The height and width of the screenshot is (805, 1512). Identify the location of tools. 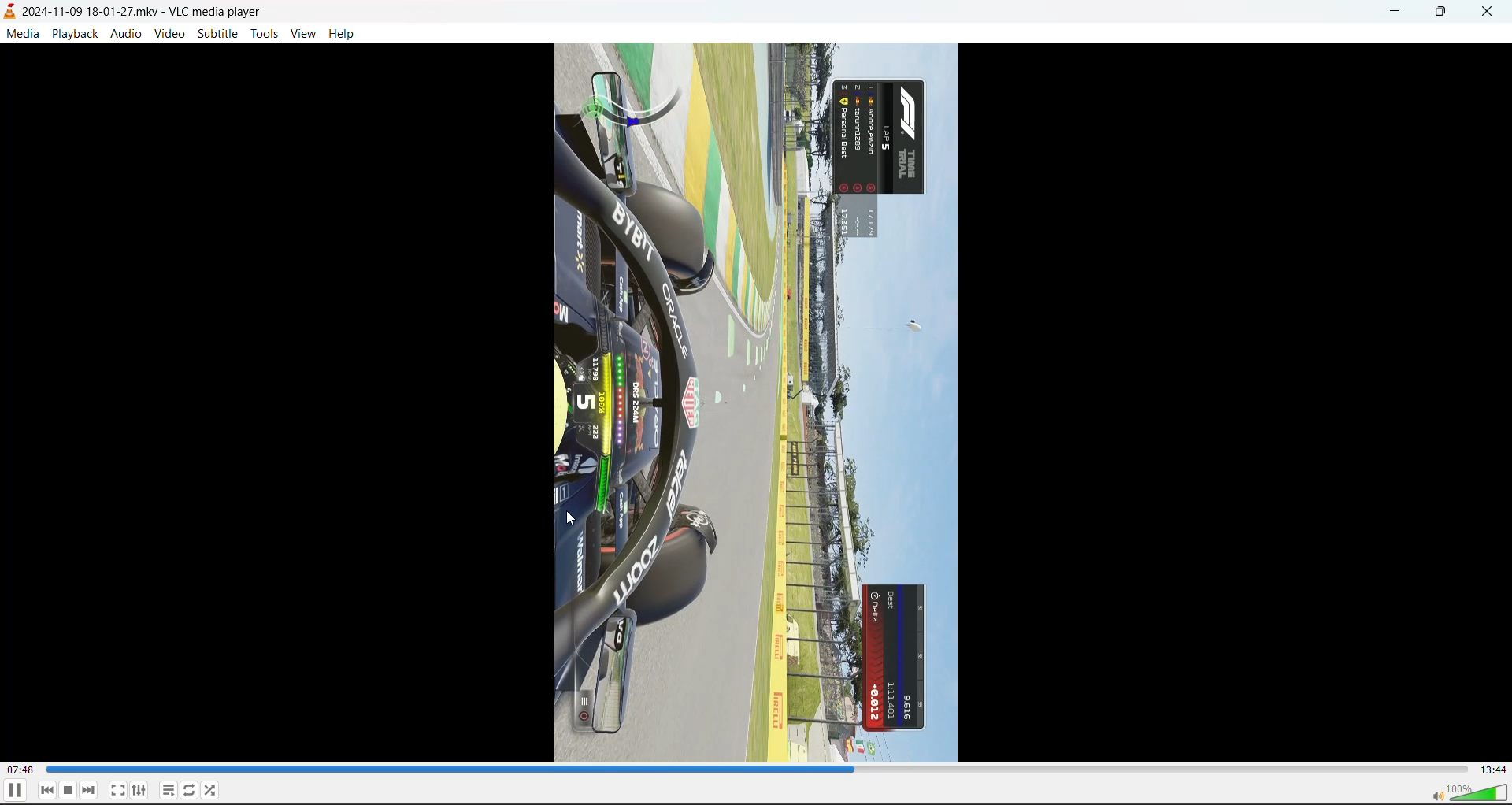
(264, 33).